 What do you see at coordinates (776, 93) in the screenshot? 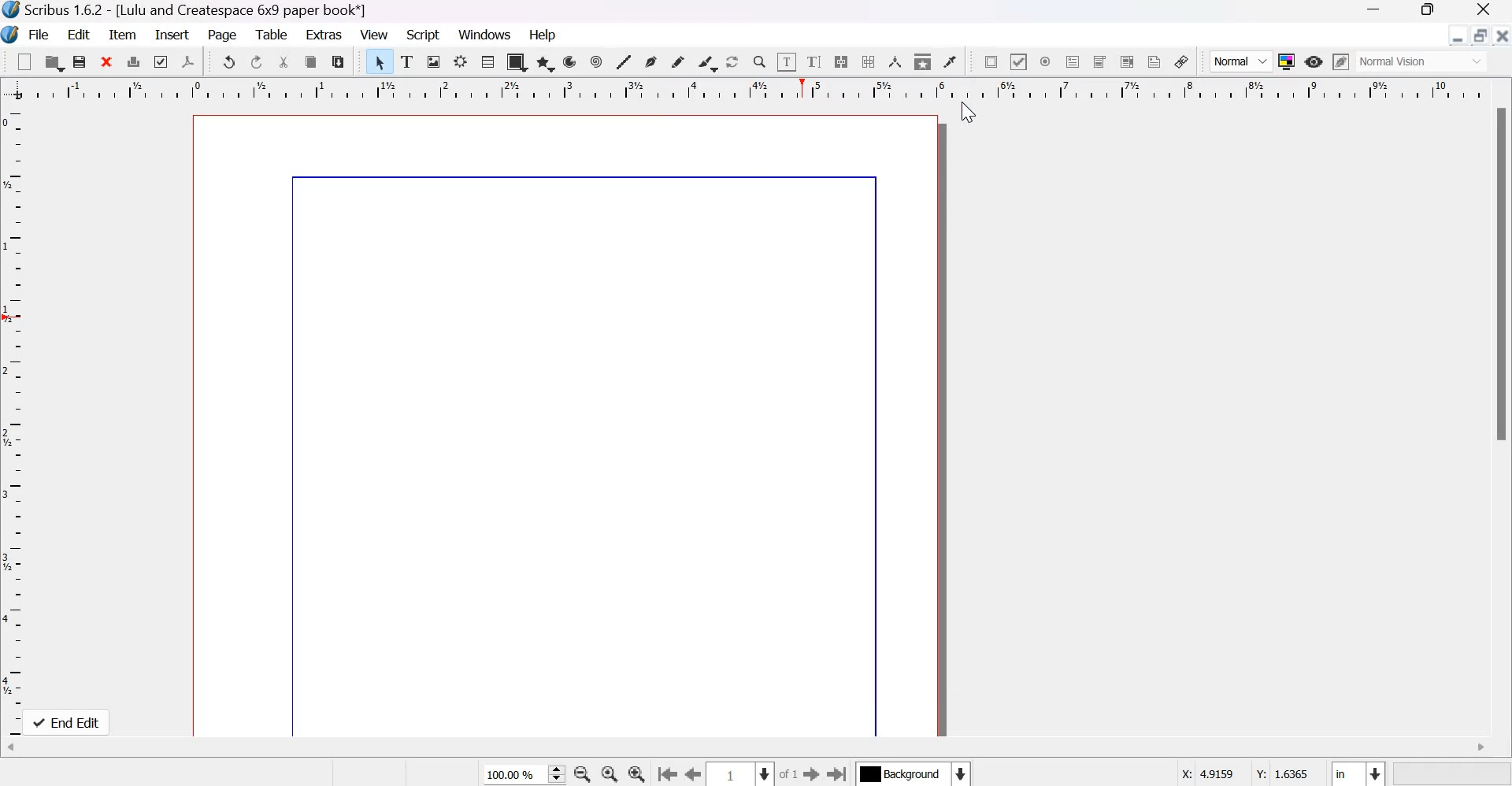
I see `horizontal scale` at bounding box center [776, 93].